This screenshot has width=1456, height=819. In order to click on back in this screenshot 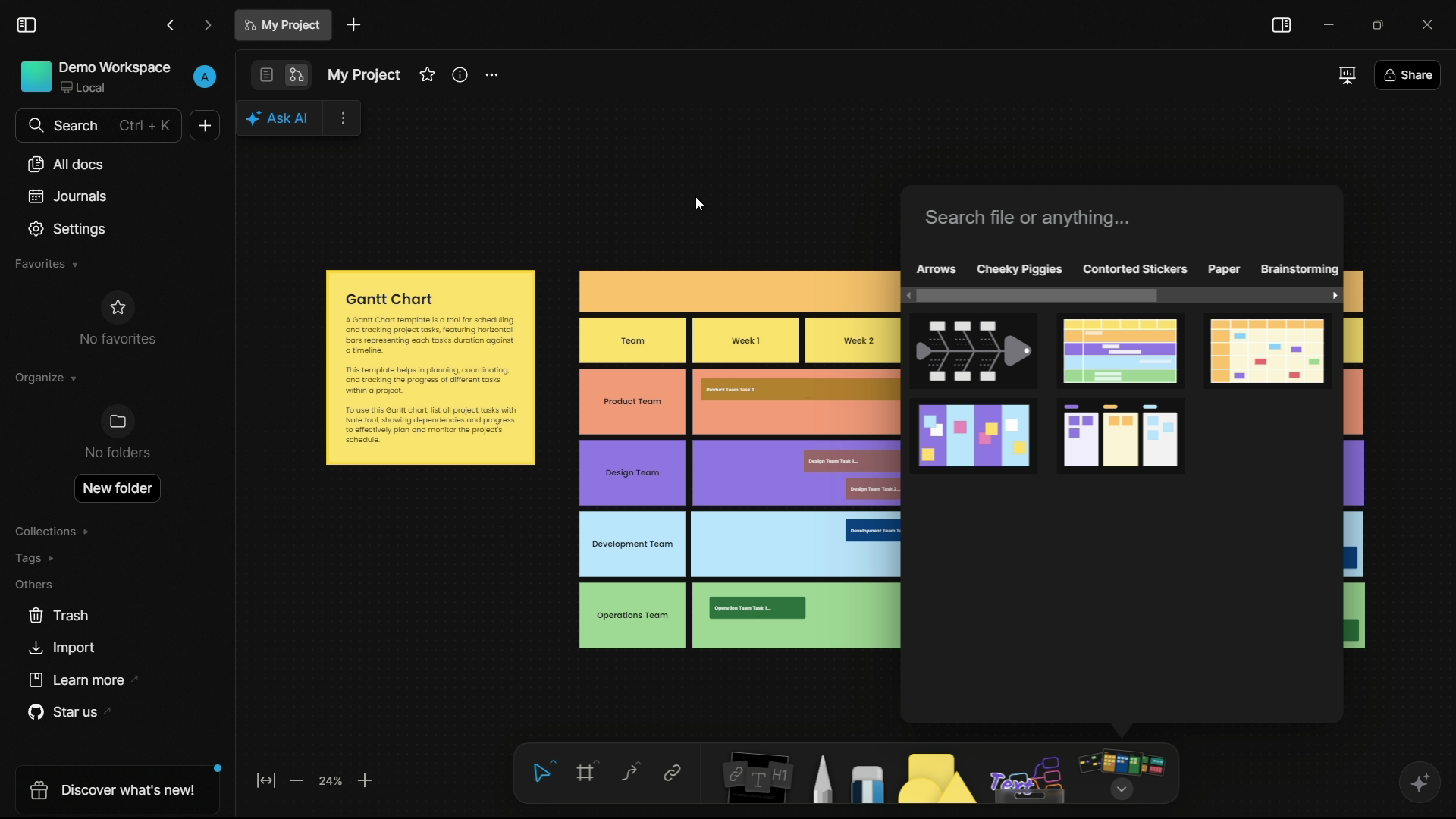, I will do `click(171, 24)`.